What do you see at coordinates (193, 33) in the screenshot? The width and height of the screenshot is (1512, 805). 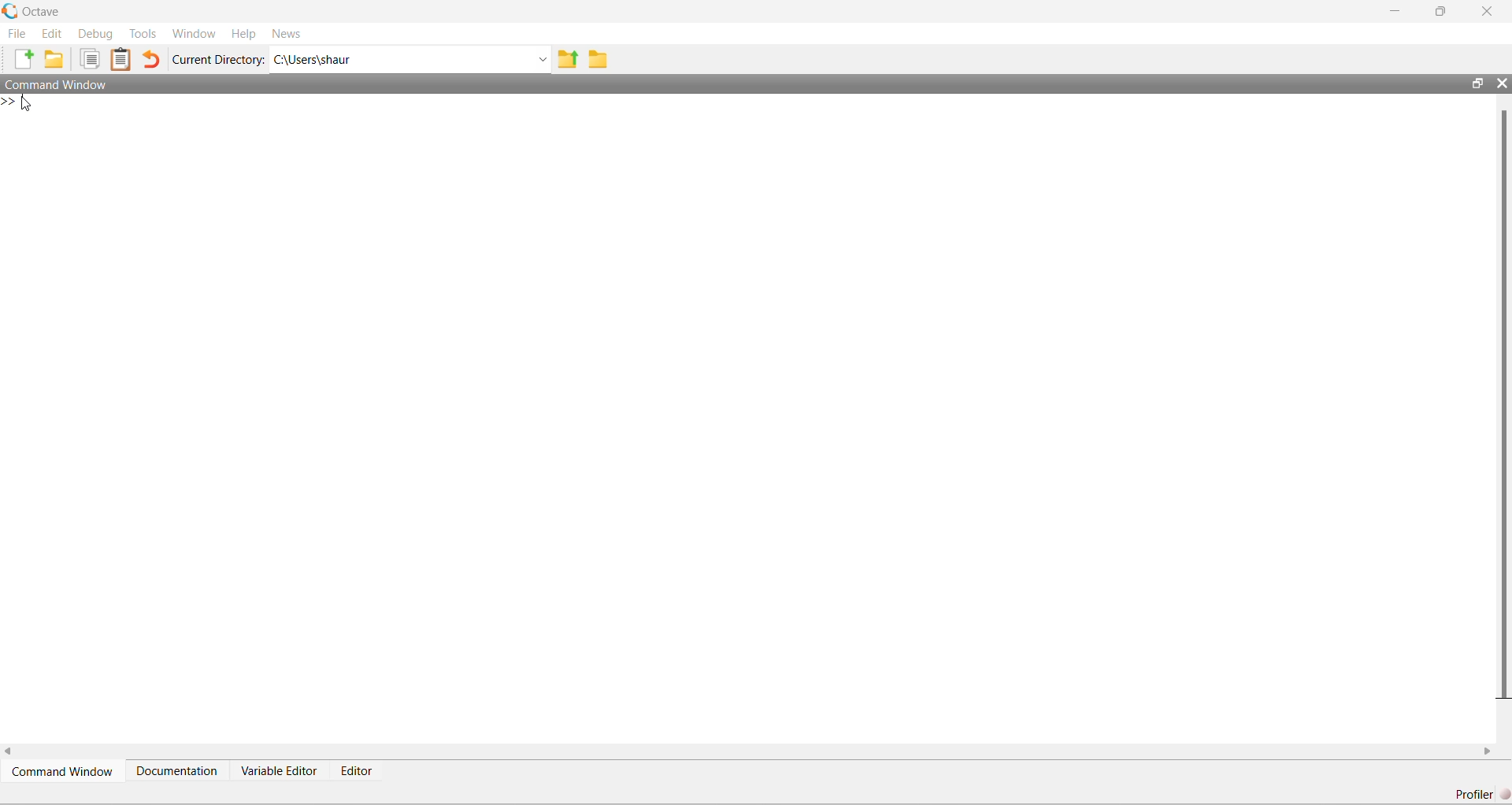 I see `Window` at bounding box center [193, 33].